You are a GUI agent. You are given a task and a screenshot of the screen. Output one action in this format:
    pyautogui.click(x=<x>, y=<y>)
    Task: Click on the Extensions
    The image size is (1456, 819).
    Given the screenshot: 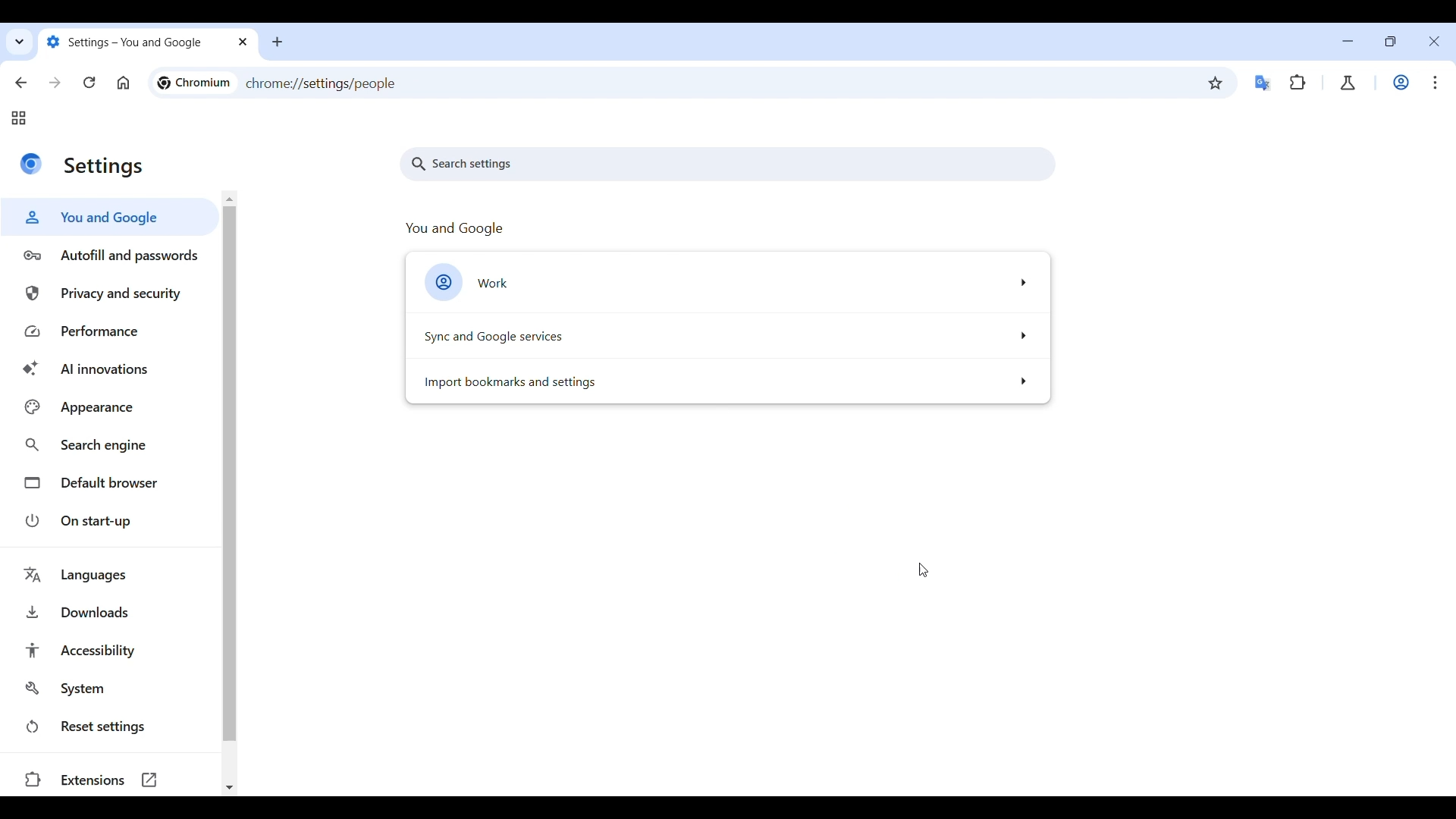 What is the action you would take?
    pyautogui.click(x=111, y=779)
    